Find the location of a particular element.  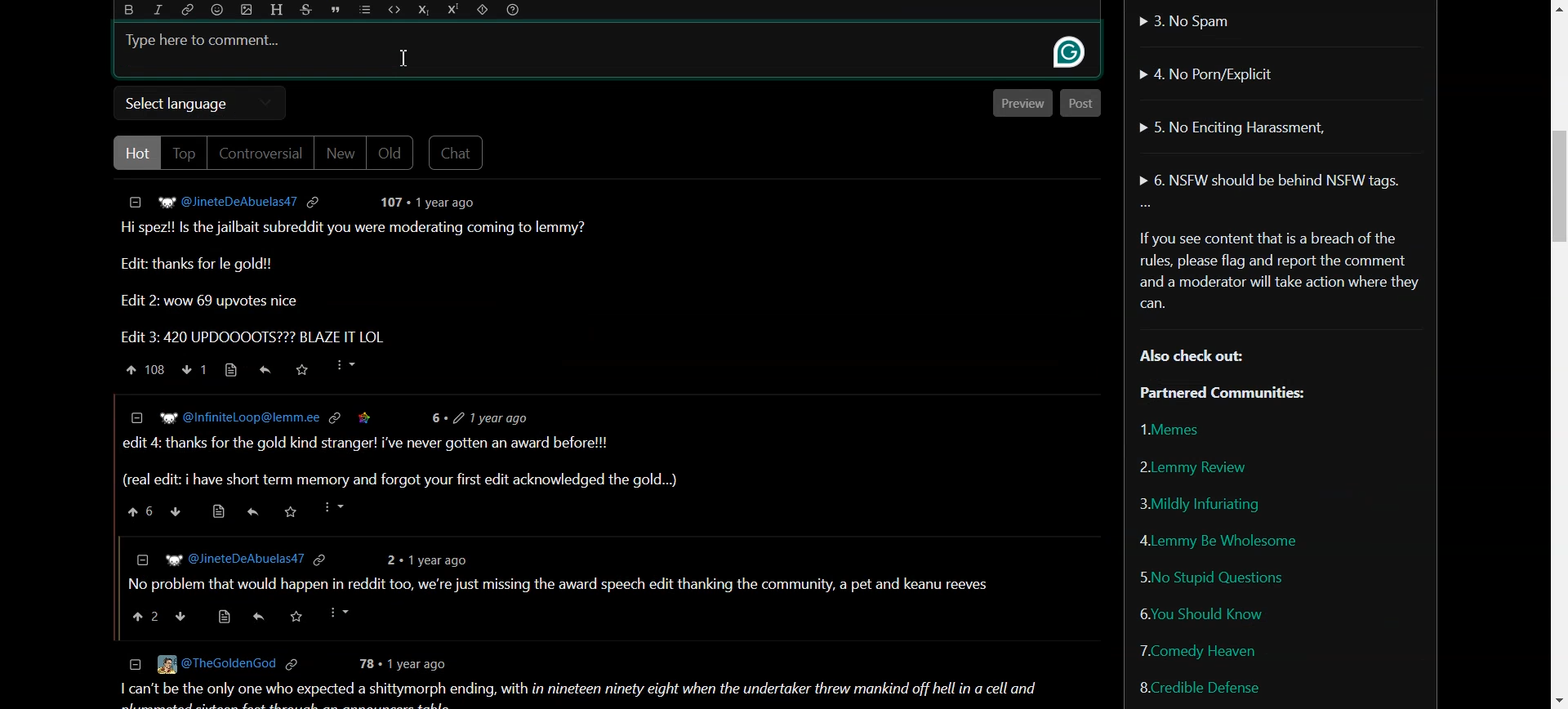

source is located at coordinates (219, 511).